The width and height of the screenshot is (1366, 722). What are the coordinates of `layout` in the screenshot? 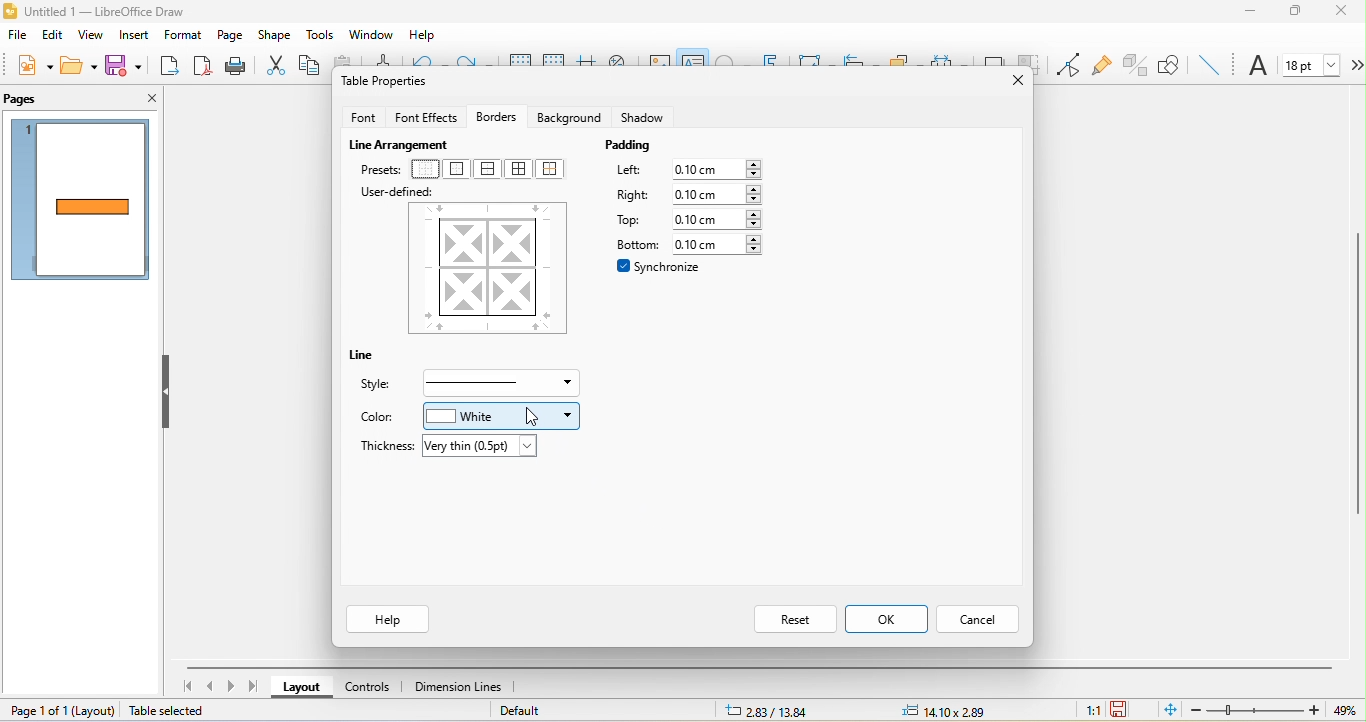 It's located at (305, 688).